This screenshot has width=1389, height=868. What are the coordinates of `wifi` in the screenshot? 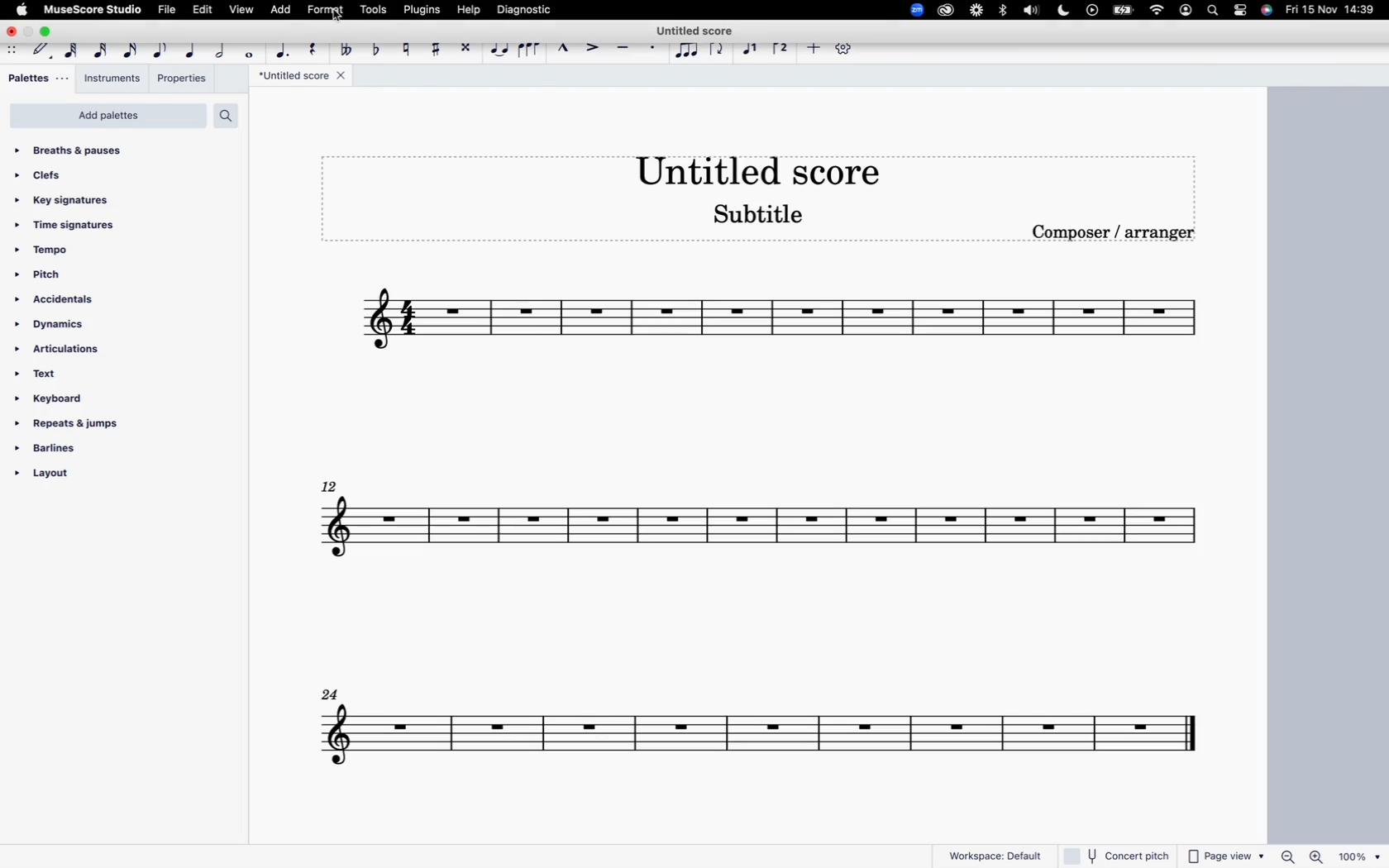 It's located at (1155, 11).